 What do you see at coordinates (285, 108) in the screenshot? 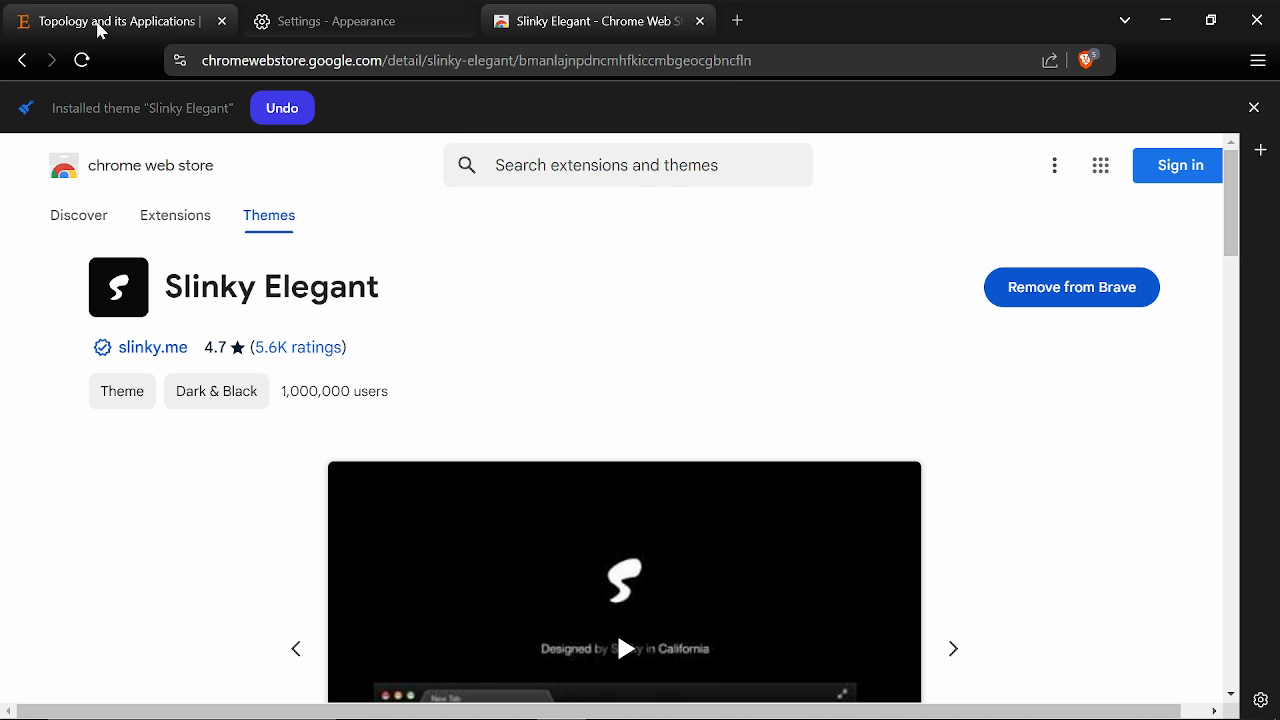
I see `Undo` at bounding box center [285, 108].